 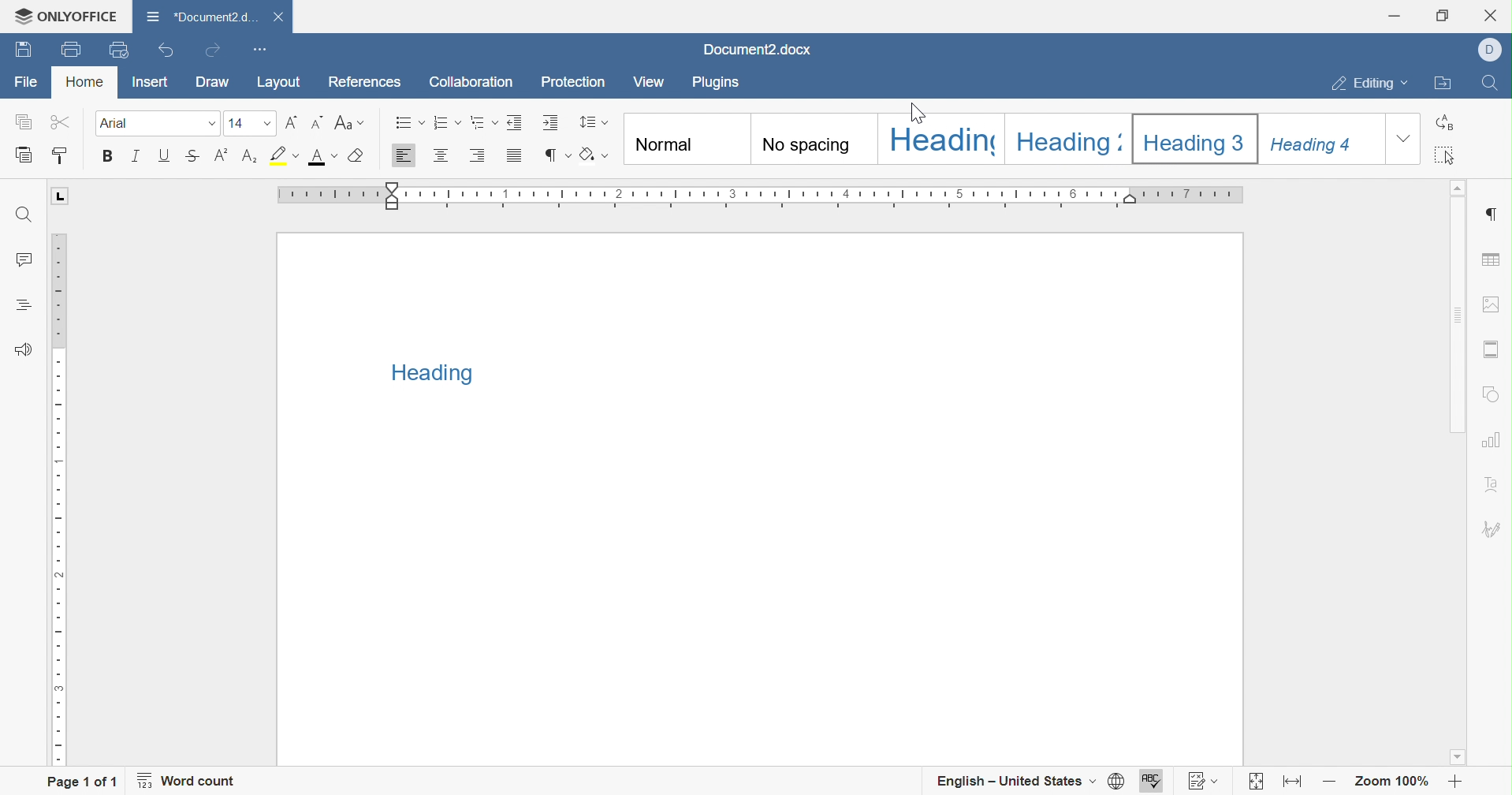 I want to click on Fit to width, so click(x=1290, y=781).